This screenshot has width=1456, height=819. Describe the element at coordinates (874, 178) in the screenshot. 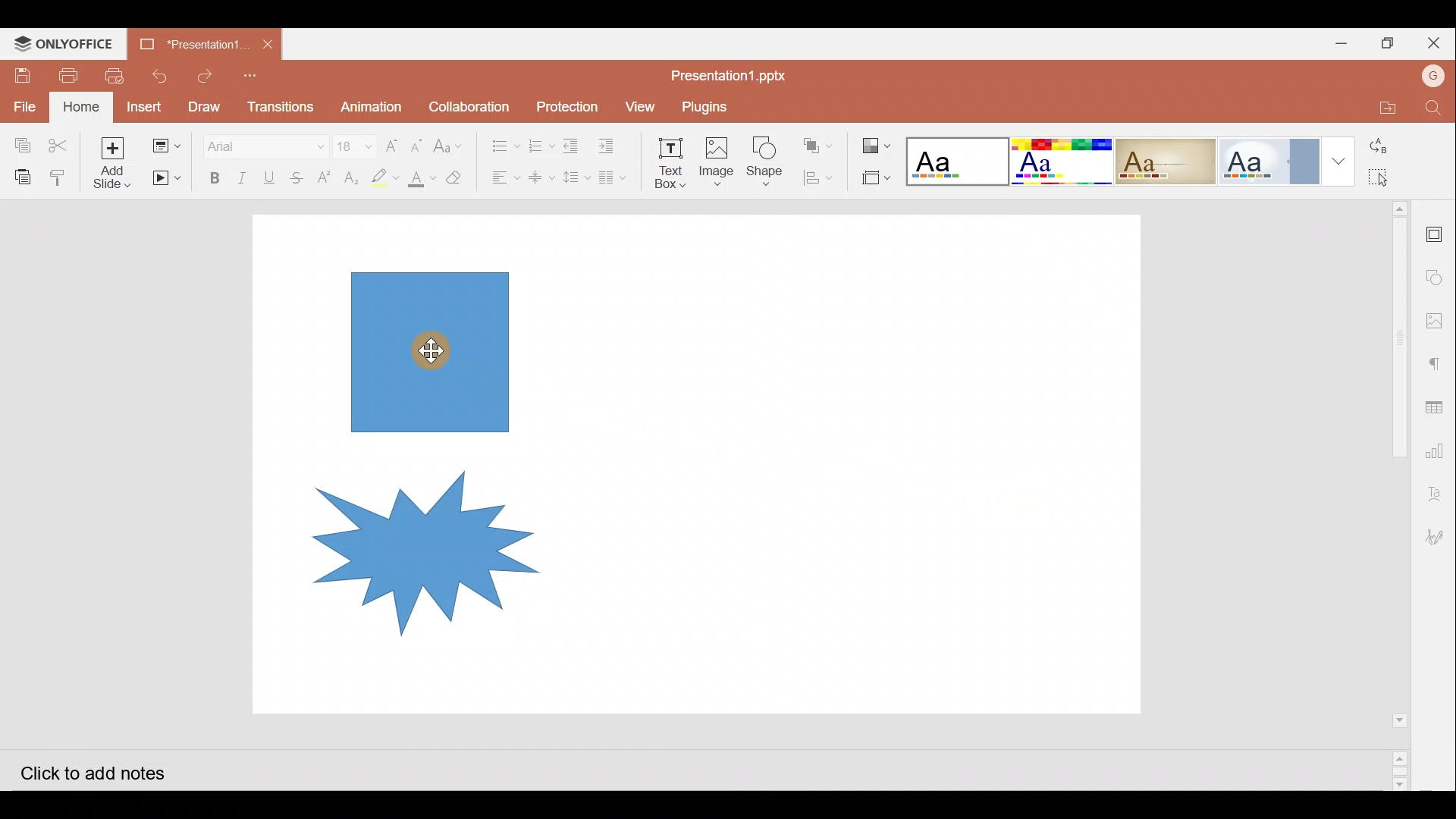

I see `Select slide size` at that location.